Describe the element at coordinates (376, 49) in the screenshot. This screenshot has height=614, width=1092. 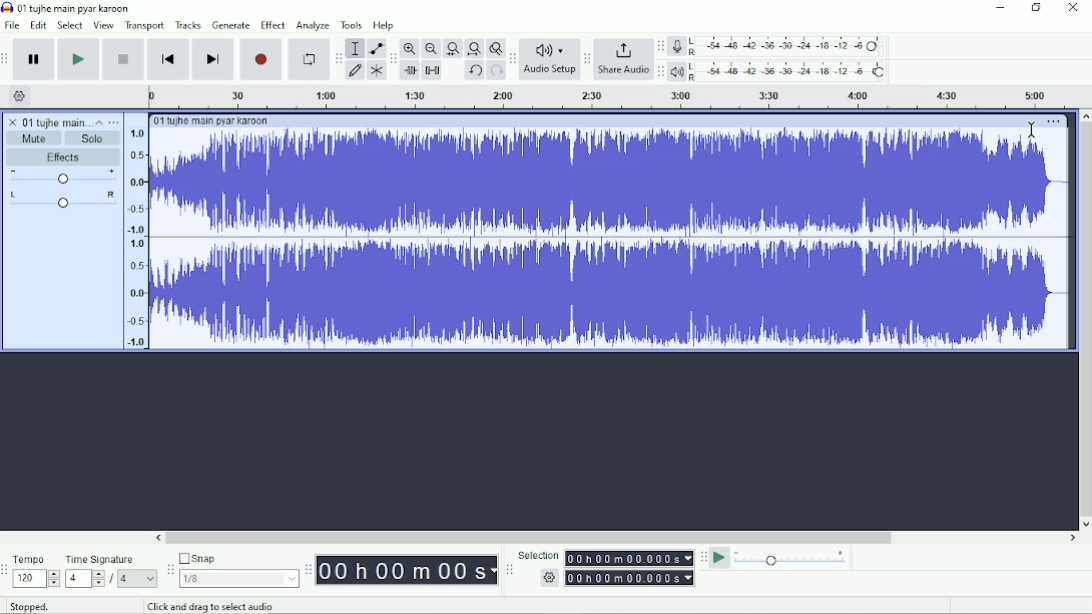
I see `Envelope tool` at that location.